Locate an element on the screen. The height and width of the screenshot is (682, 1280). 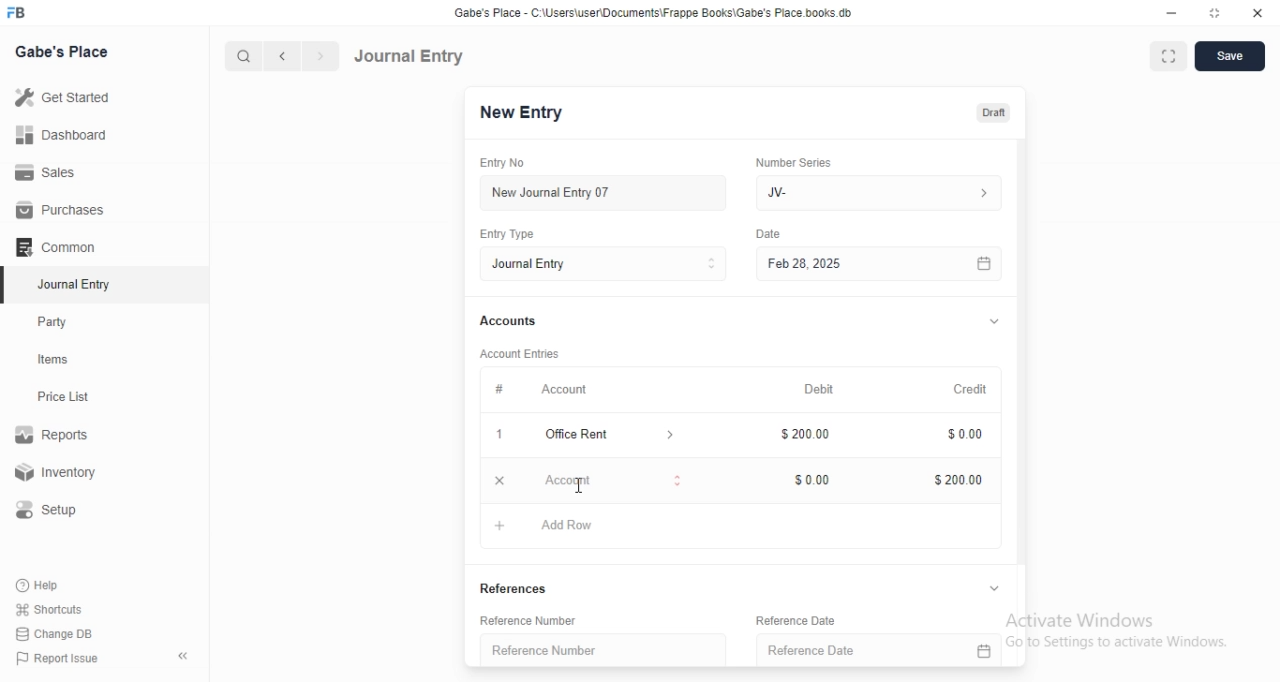
Journal Entry is located at coordinates (409, 56).